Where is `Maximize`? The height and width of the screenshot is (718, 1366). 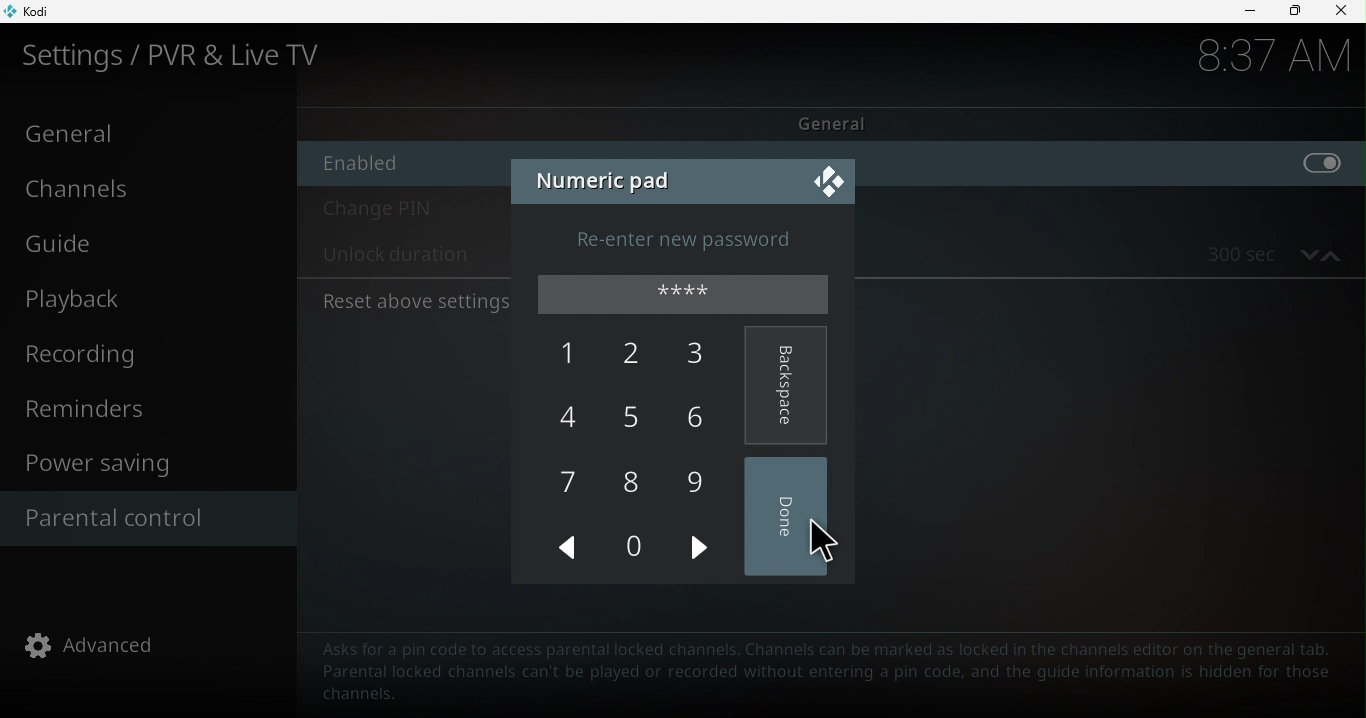
Maximize is located at coordinates (1294, 11).